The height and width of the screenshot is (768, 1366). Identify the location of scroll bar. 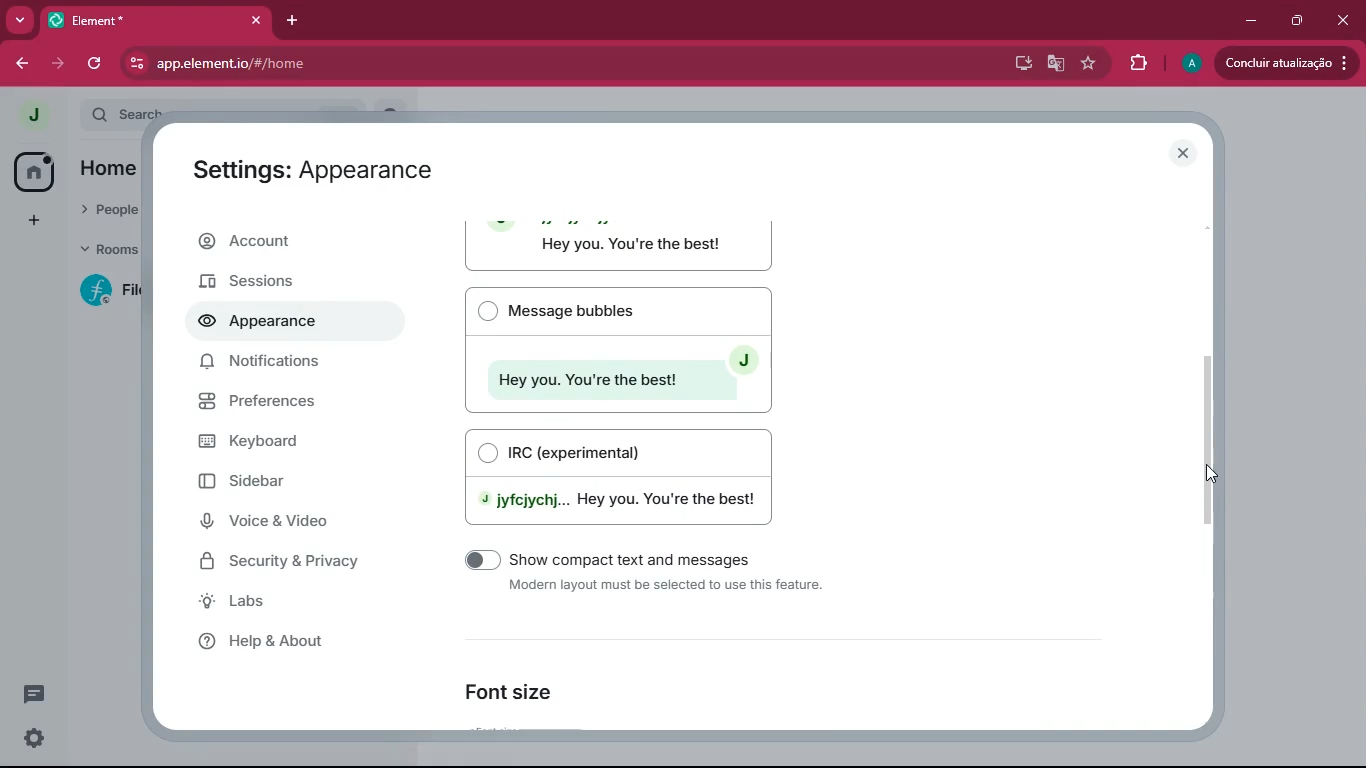
(1209, 436).